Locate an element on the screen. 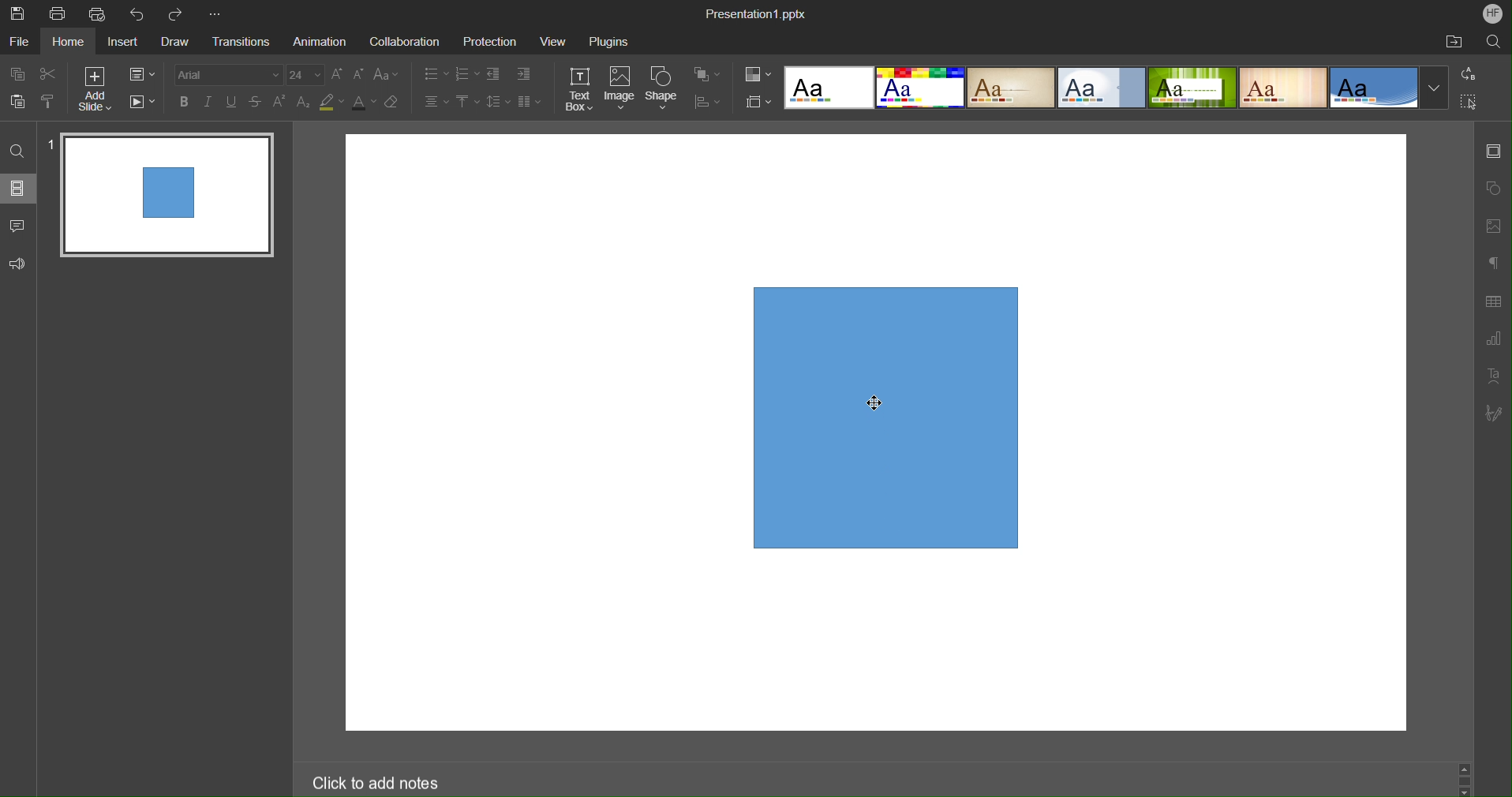 The image size is (1512, 797). Line Spacing is located at coordinates (499, 101).